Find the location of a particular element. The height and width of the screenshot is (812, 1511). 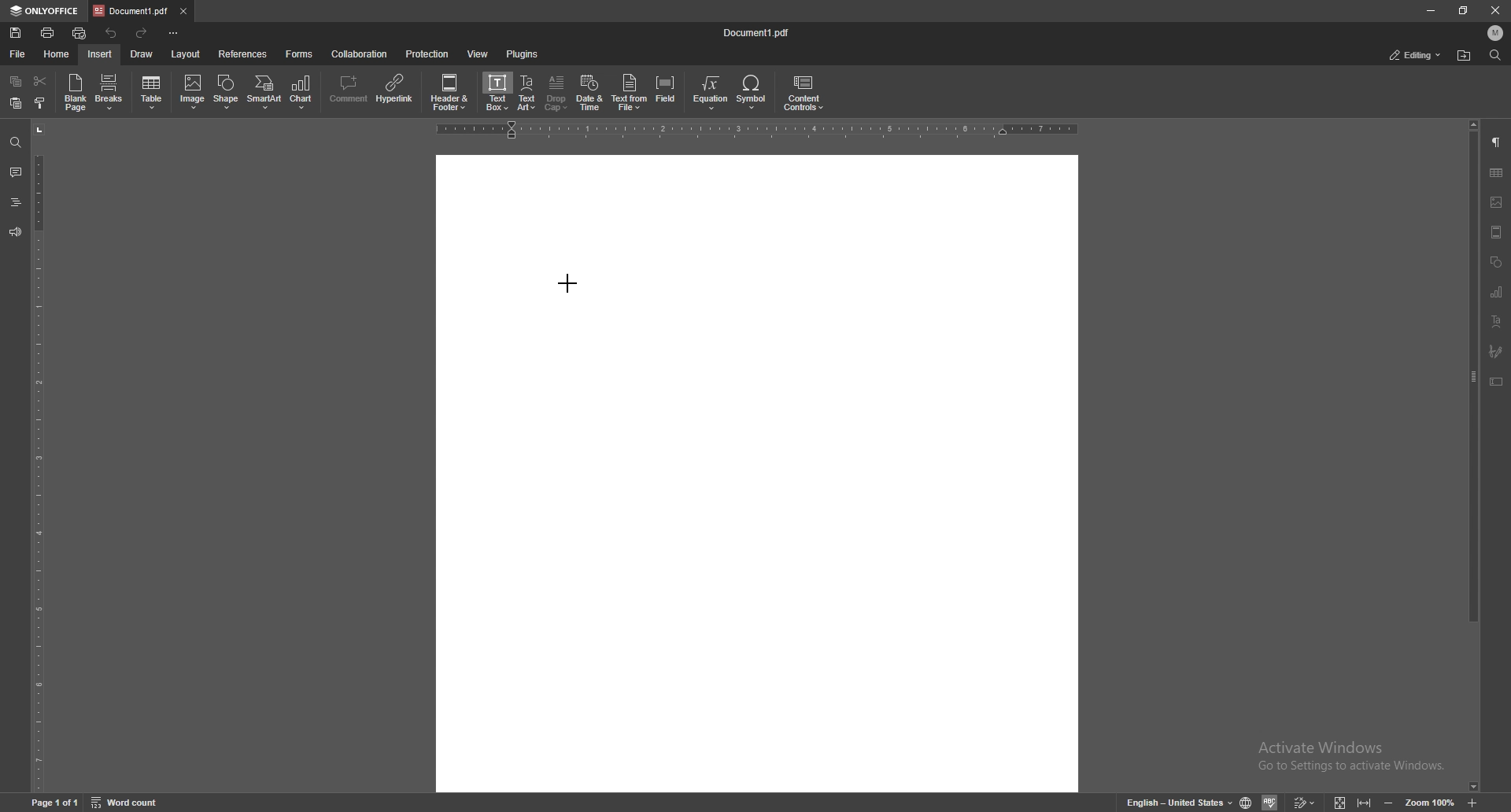

layout is located at coordinates (187, 55).